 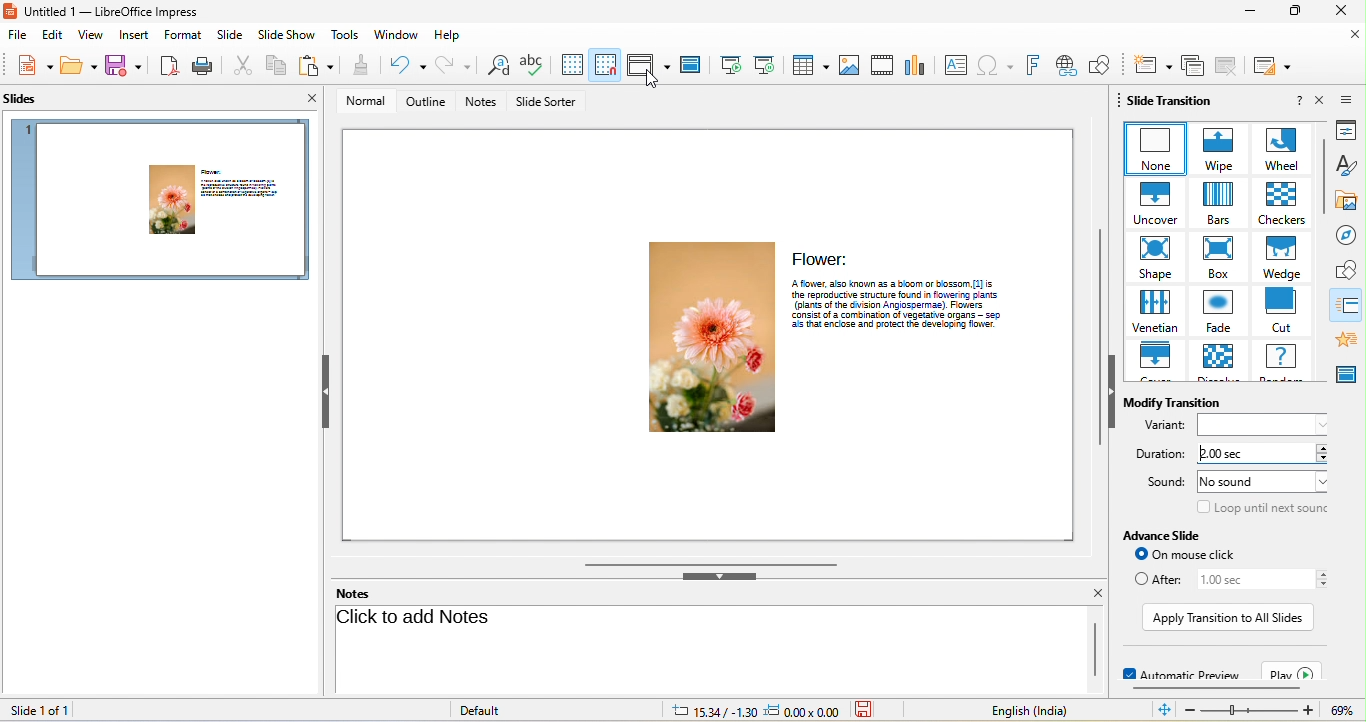 I want to click on master slide, so click(x=692, y=65).